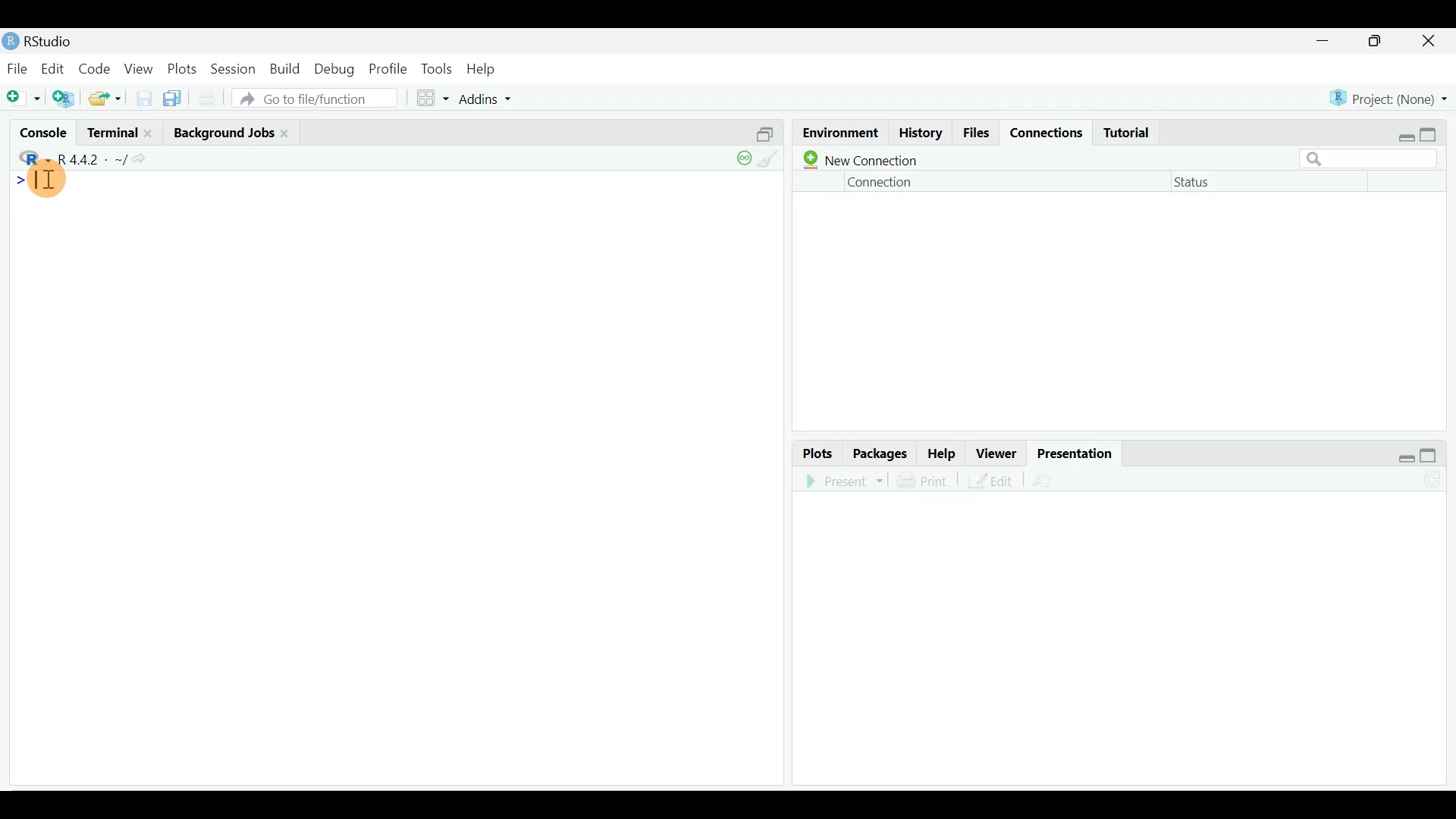  What do you see at coordinates (1065, 480) in the screenshot?
I see `Present in an external web browser` at bounding box center [1065, 480].